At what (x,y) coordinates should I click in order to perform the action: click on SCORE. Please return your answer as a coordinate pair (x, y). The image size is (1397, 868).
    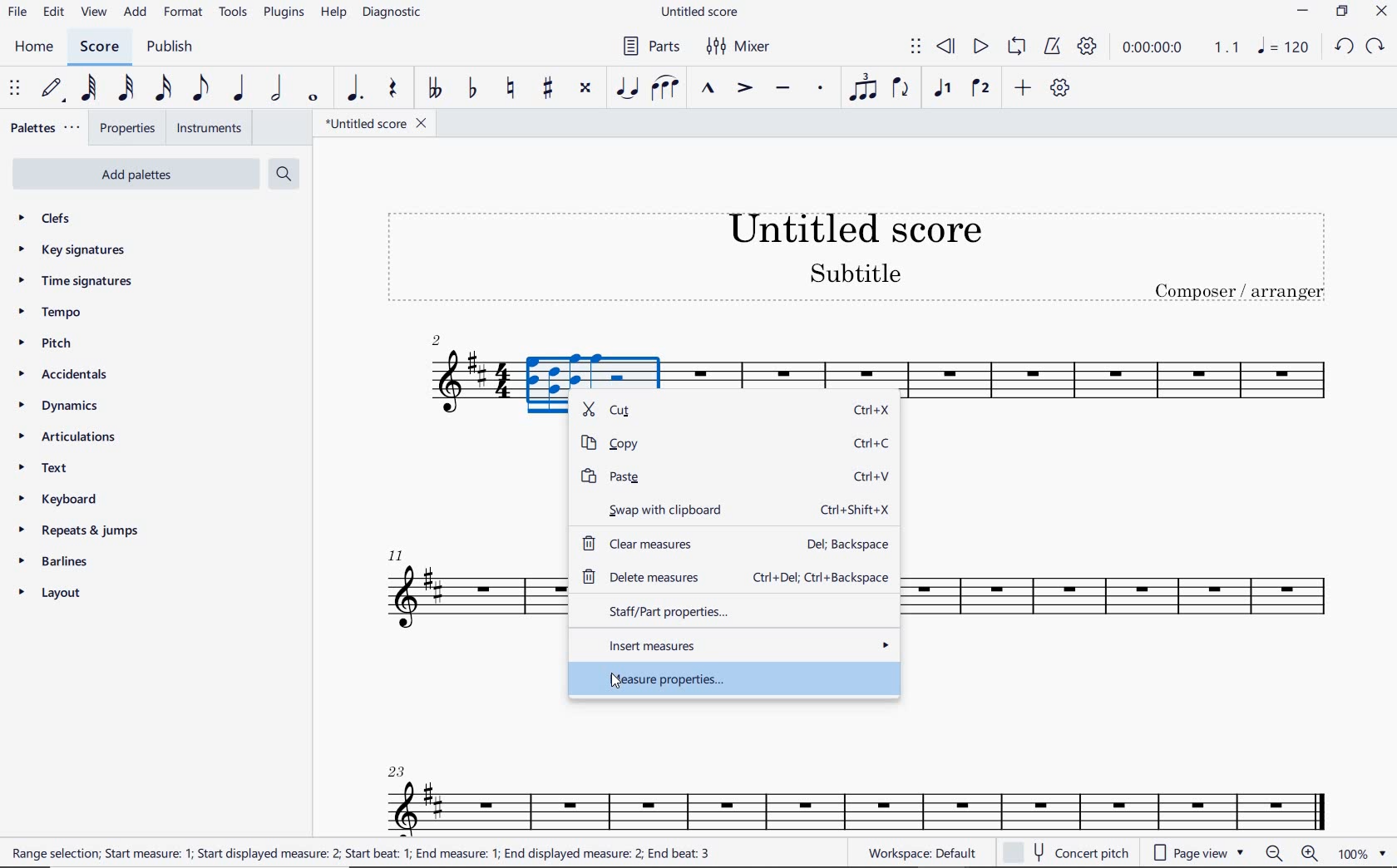
    Looking at the image, I should click on (99, 47).